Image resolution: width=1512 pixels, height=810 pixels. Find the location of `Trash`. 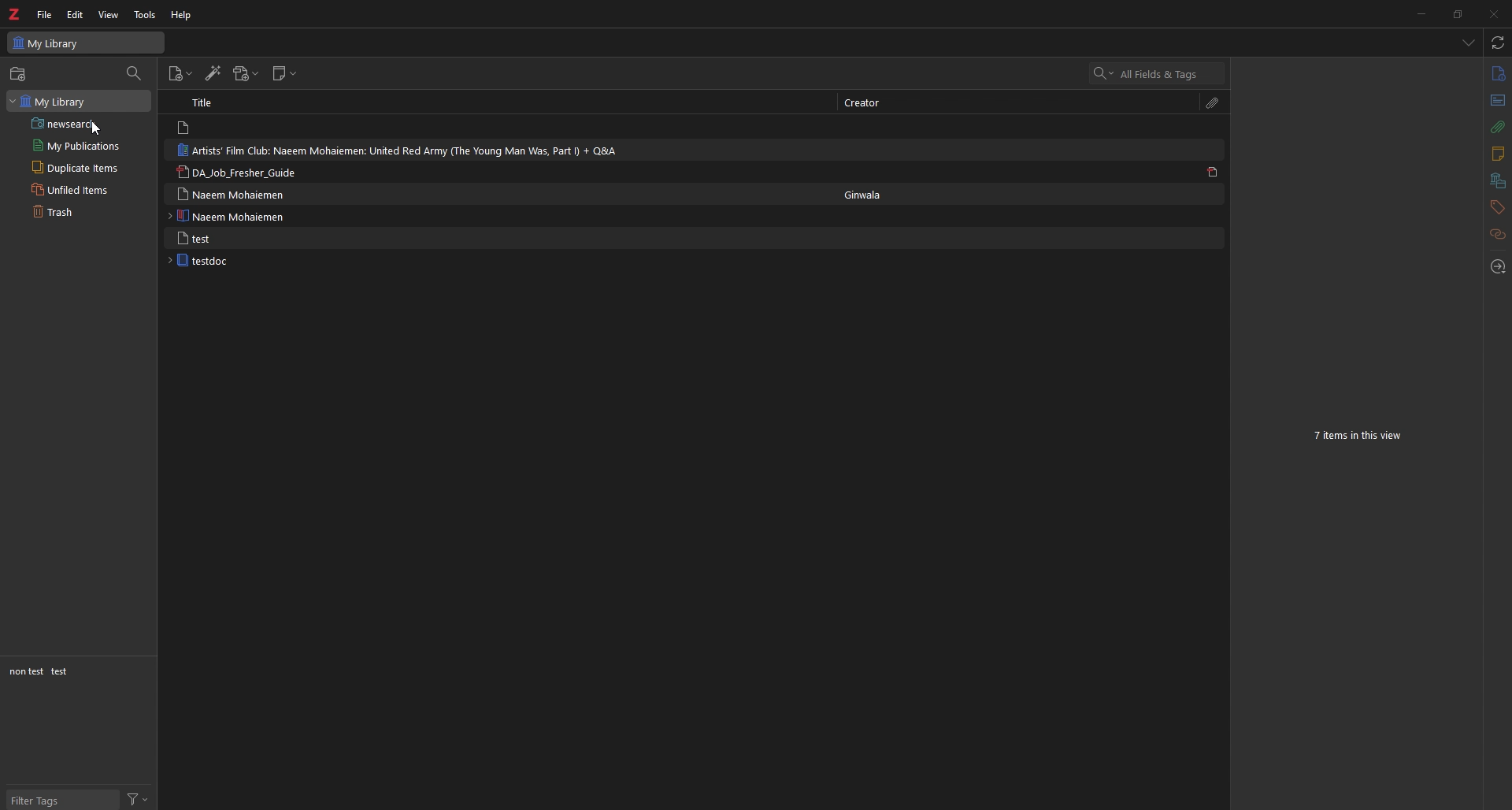

Trash is located at coordinates (52, 212).